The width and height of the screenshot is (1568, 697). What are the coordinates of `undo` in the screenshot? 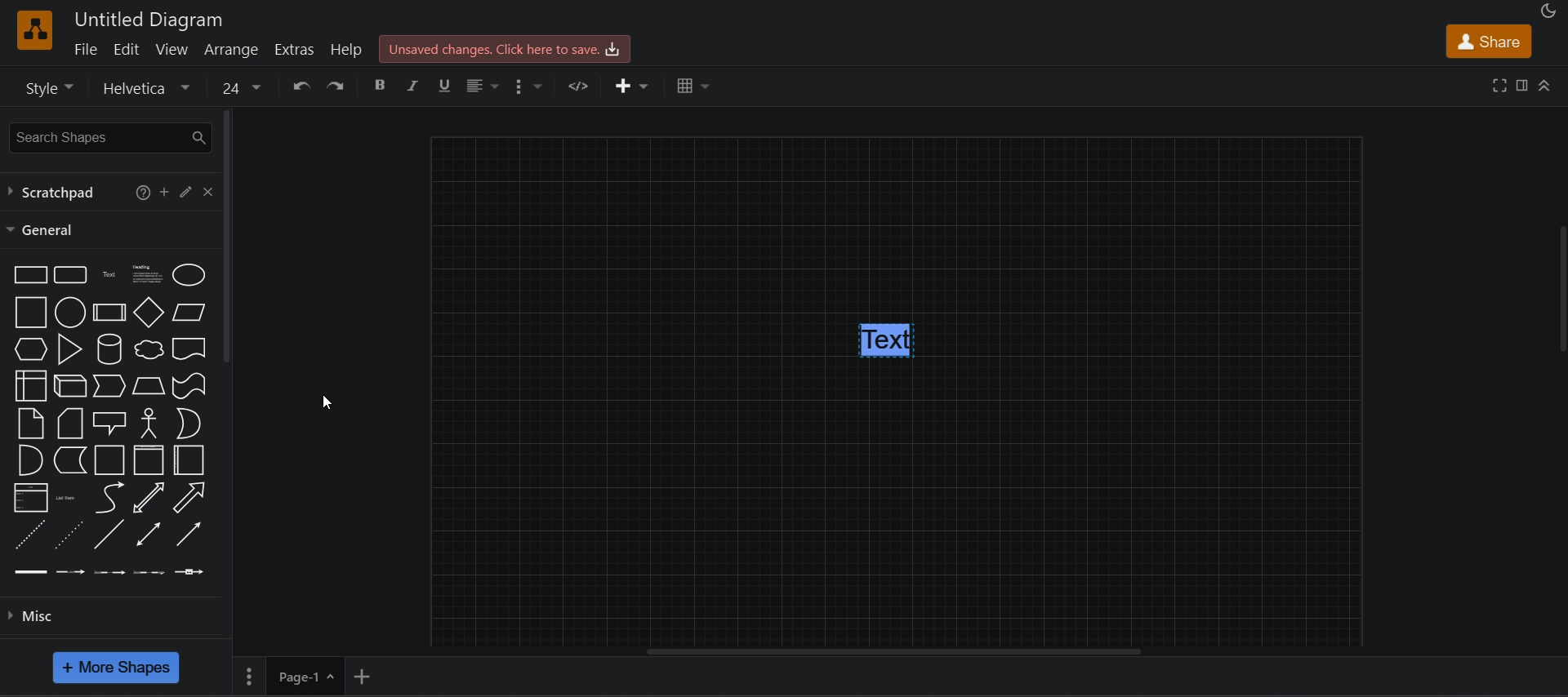 It's located at (301, 85).